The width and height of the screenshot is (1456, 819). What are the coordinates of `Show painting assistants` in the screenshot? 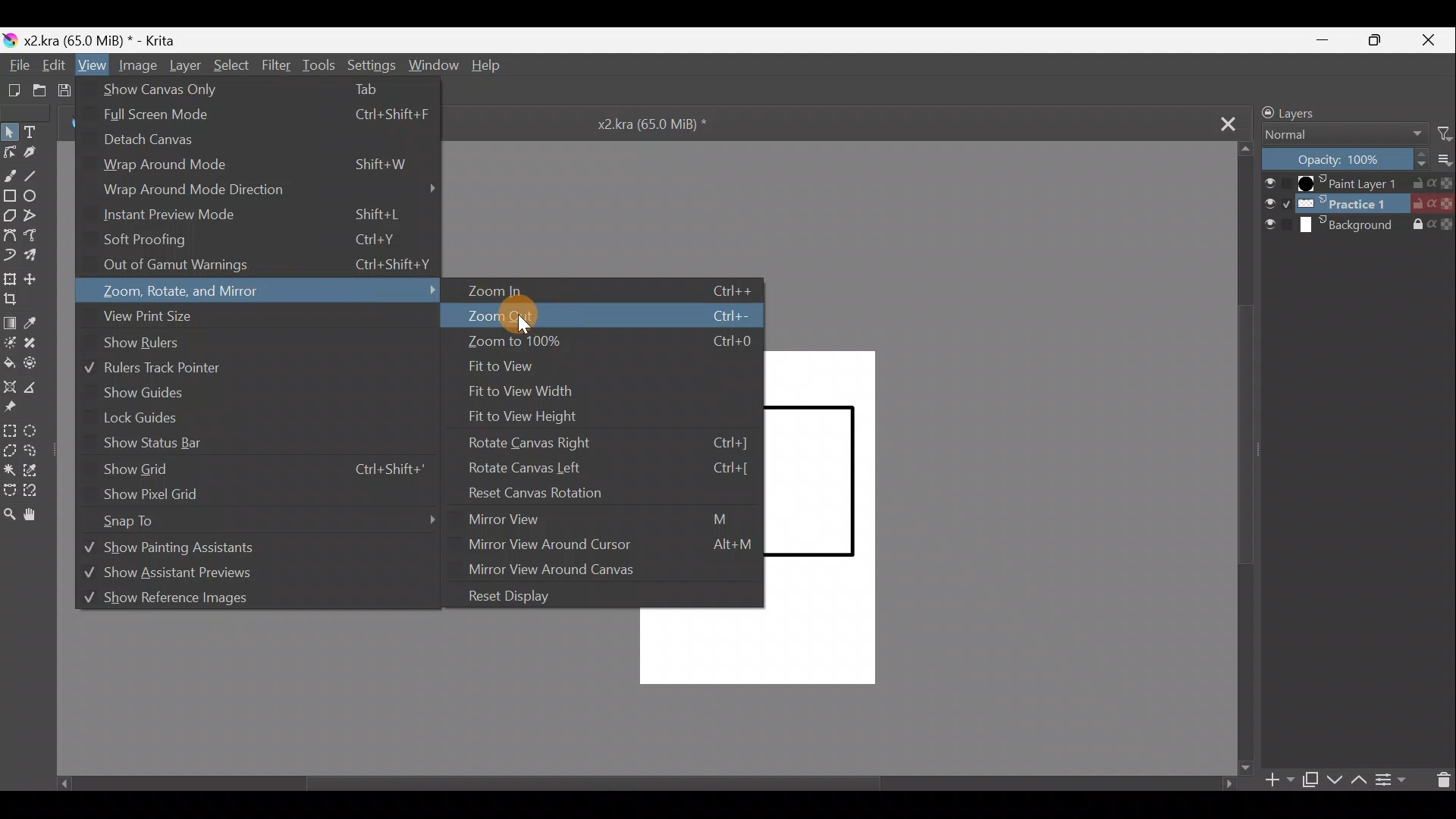 It's located at (243, 550).